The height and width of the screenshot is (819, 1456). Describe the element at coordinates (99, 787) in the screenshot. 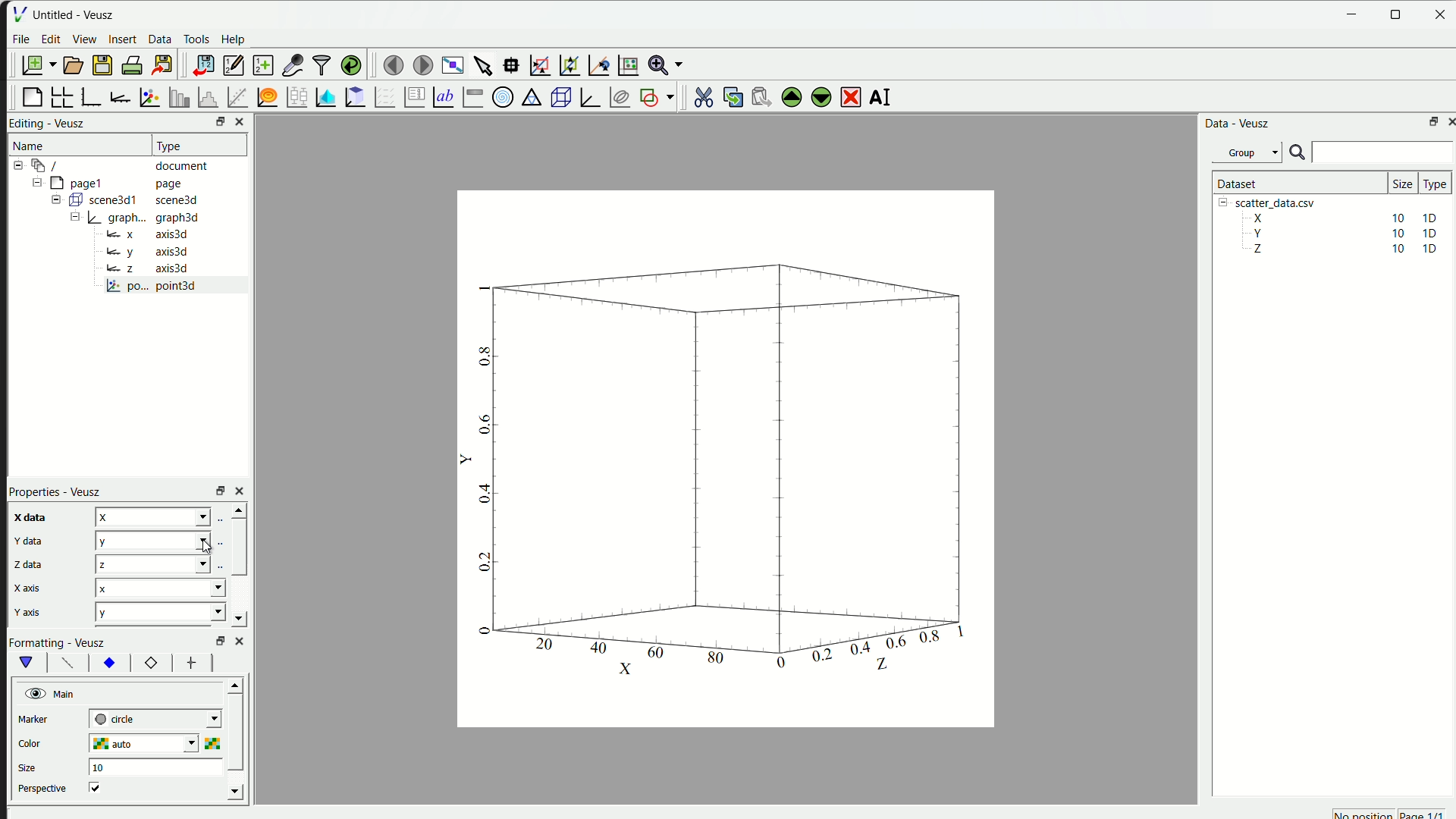

I see `checkbox` at that location.